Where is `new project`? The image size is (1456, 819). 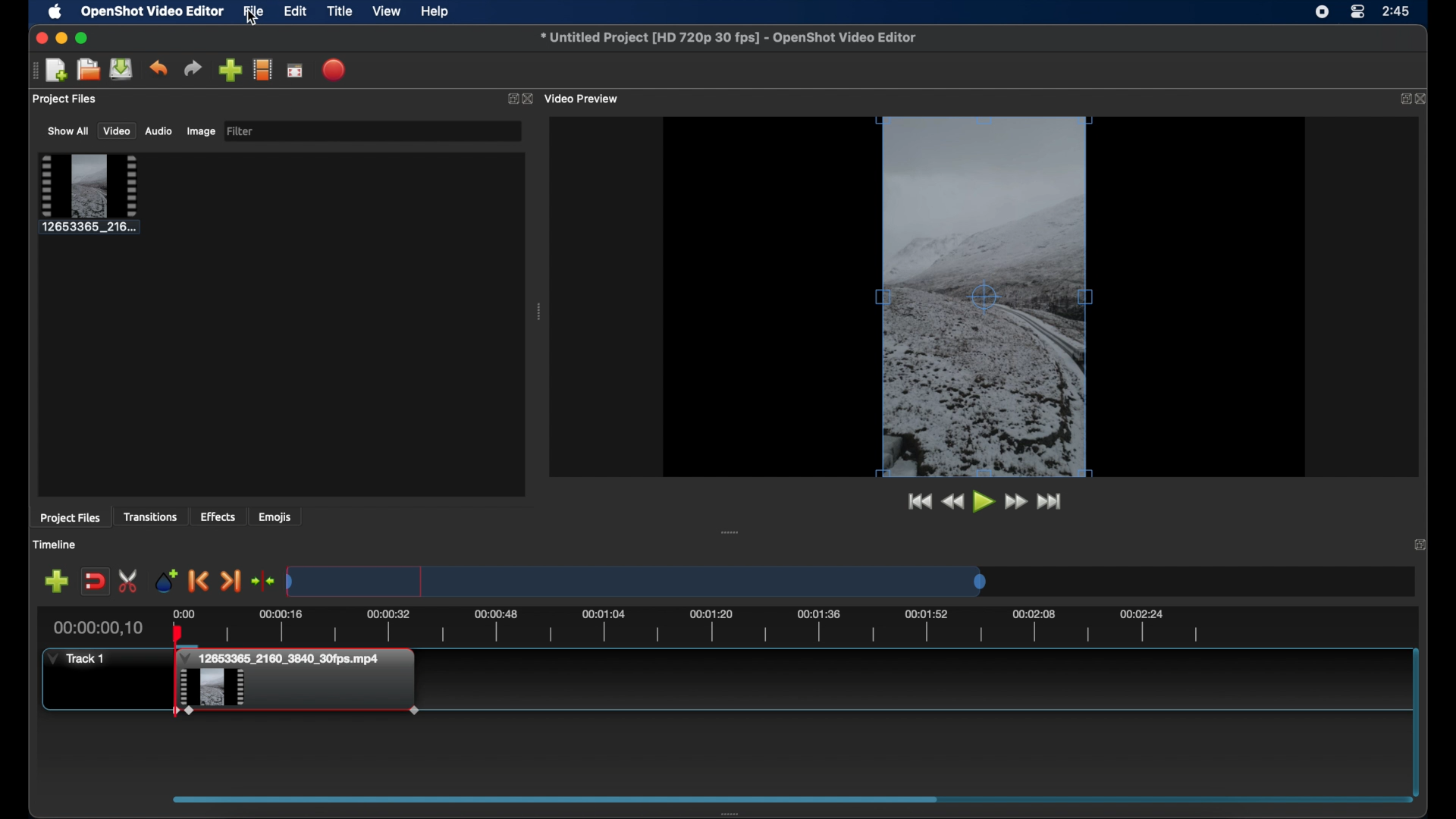 new project is located at coordinates (58, 70).